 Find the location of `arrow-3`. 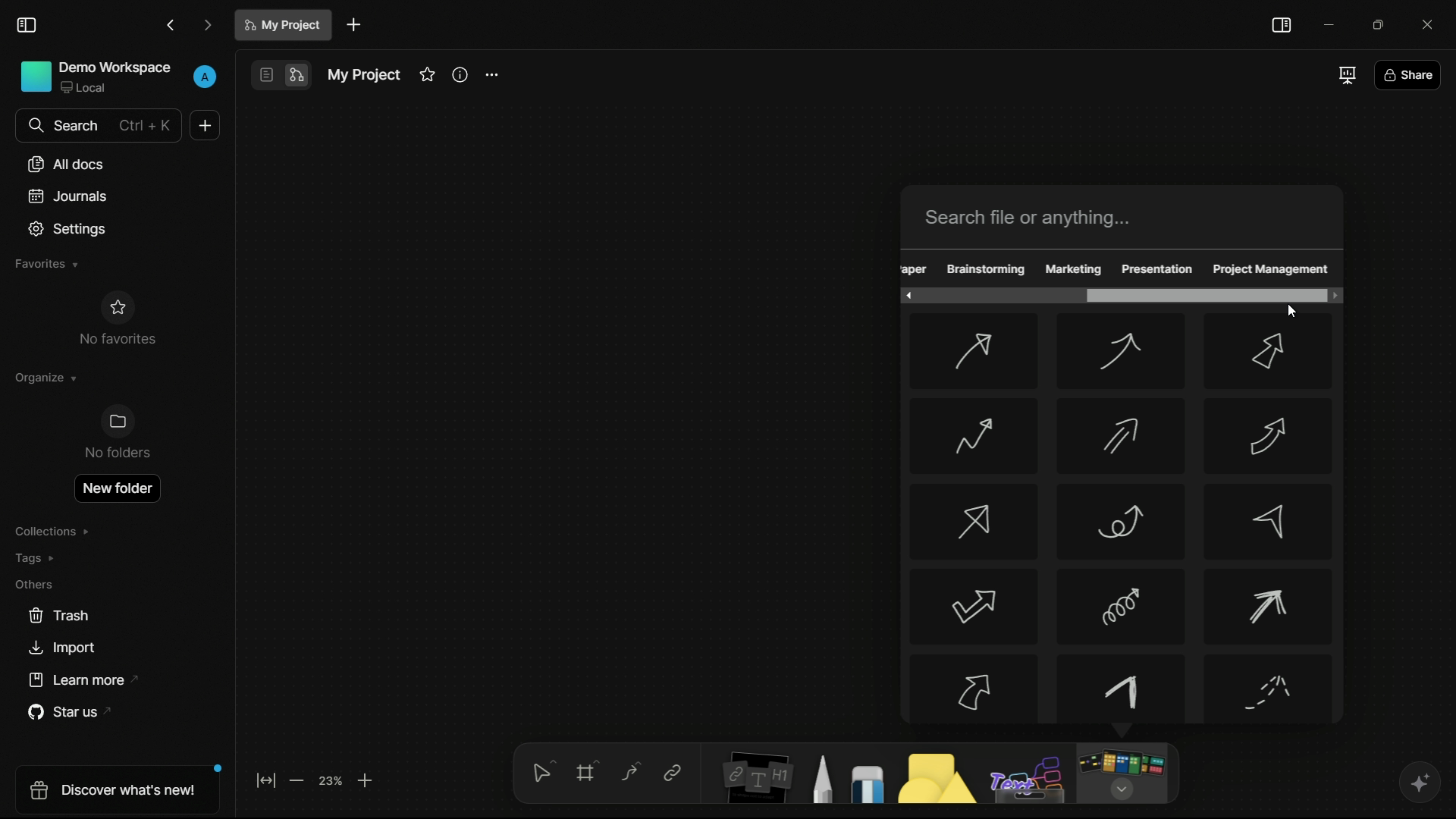

arrow-3 is located at coordinates (1271, 353).